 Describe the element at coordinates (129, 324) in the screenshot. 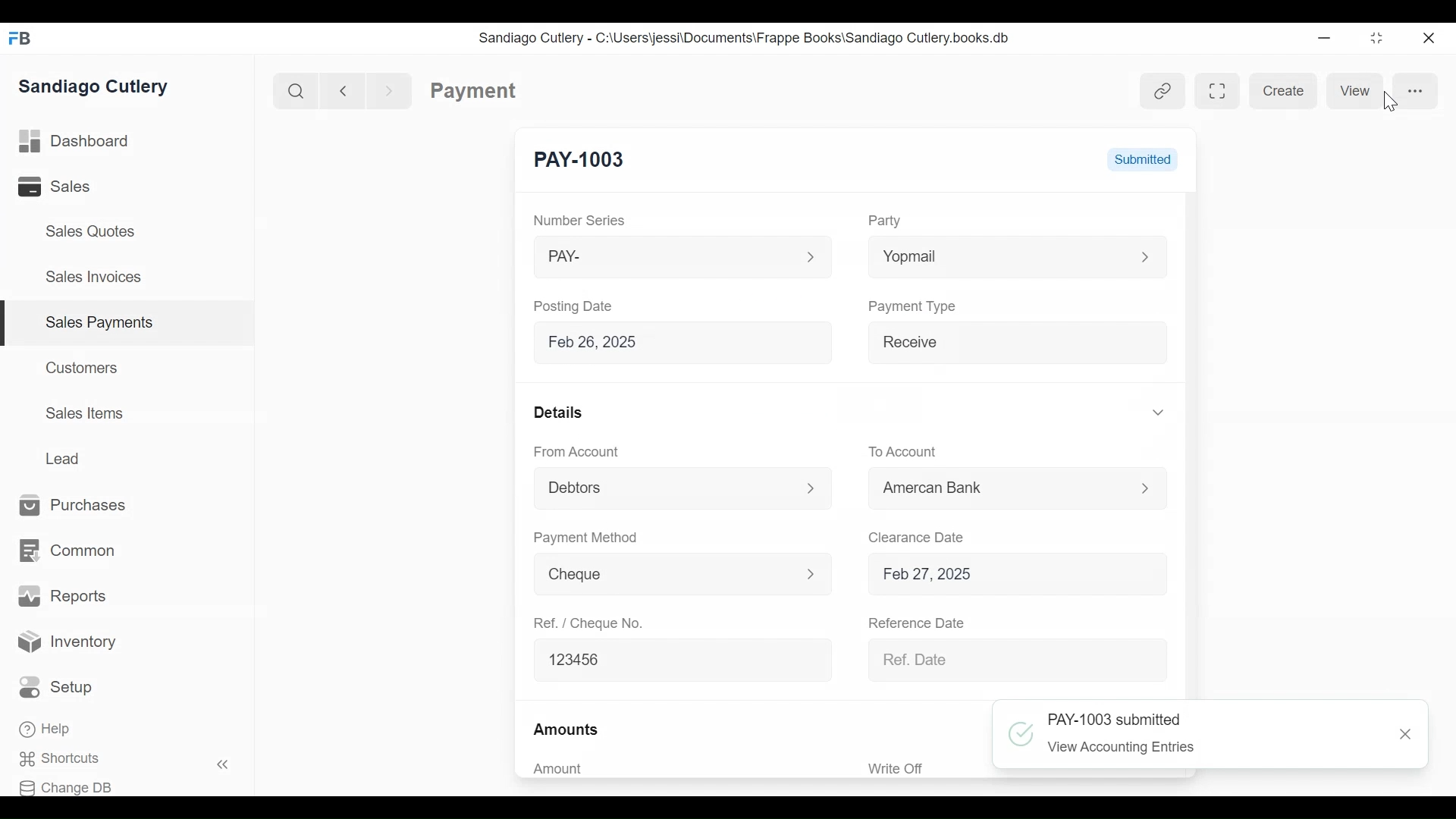

I see `| Sales Payments` at that location.